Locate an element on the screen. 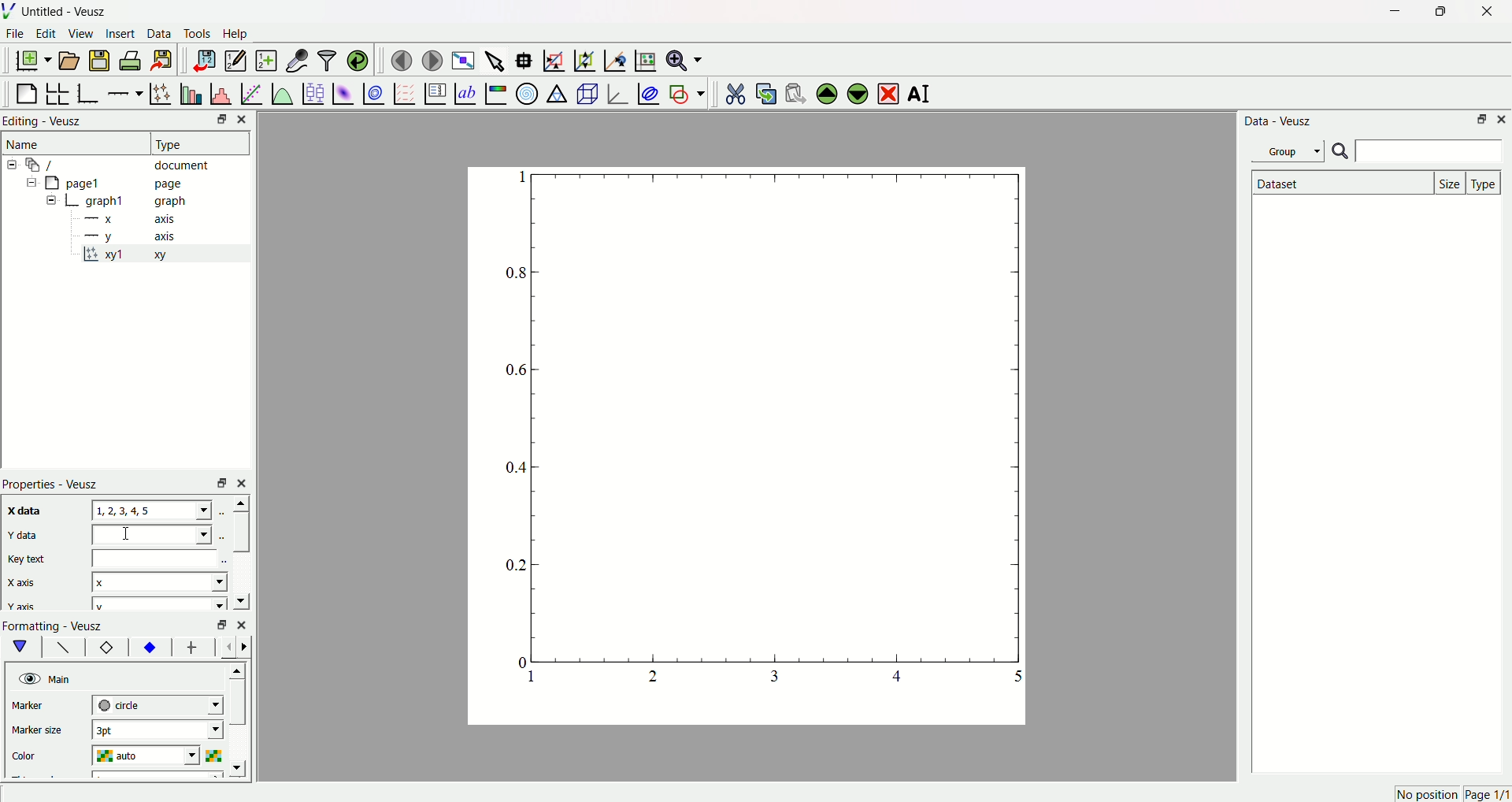 The width and height of the screenshot is (1512, 802). 3d scenes is located at coordinates (586, 93).